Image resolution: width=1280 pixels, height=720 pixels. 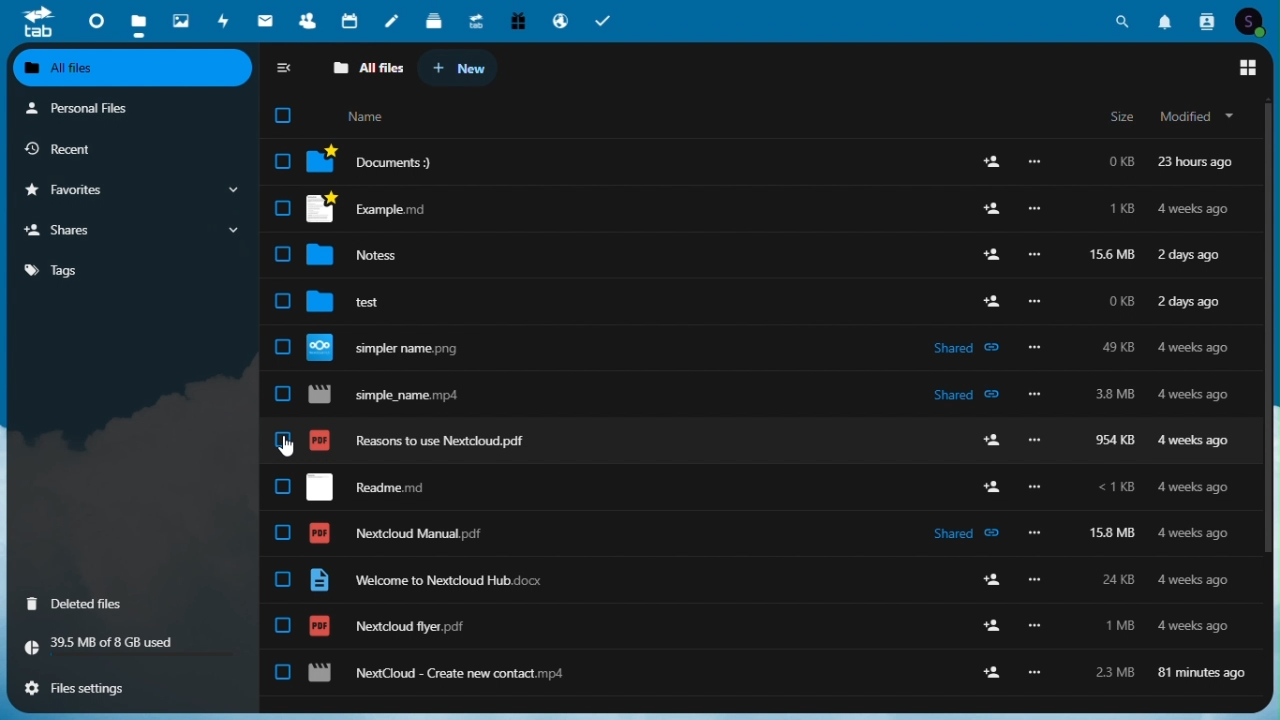 What do you see at coordinates (1116, 579) in the screenshot?
I see `24kb` at bounding box center [1116, 579].